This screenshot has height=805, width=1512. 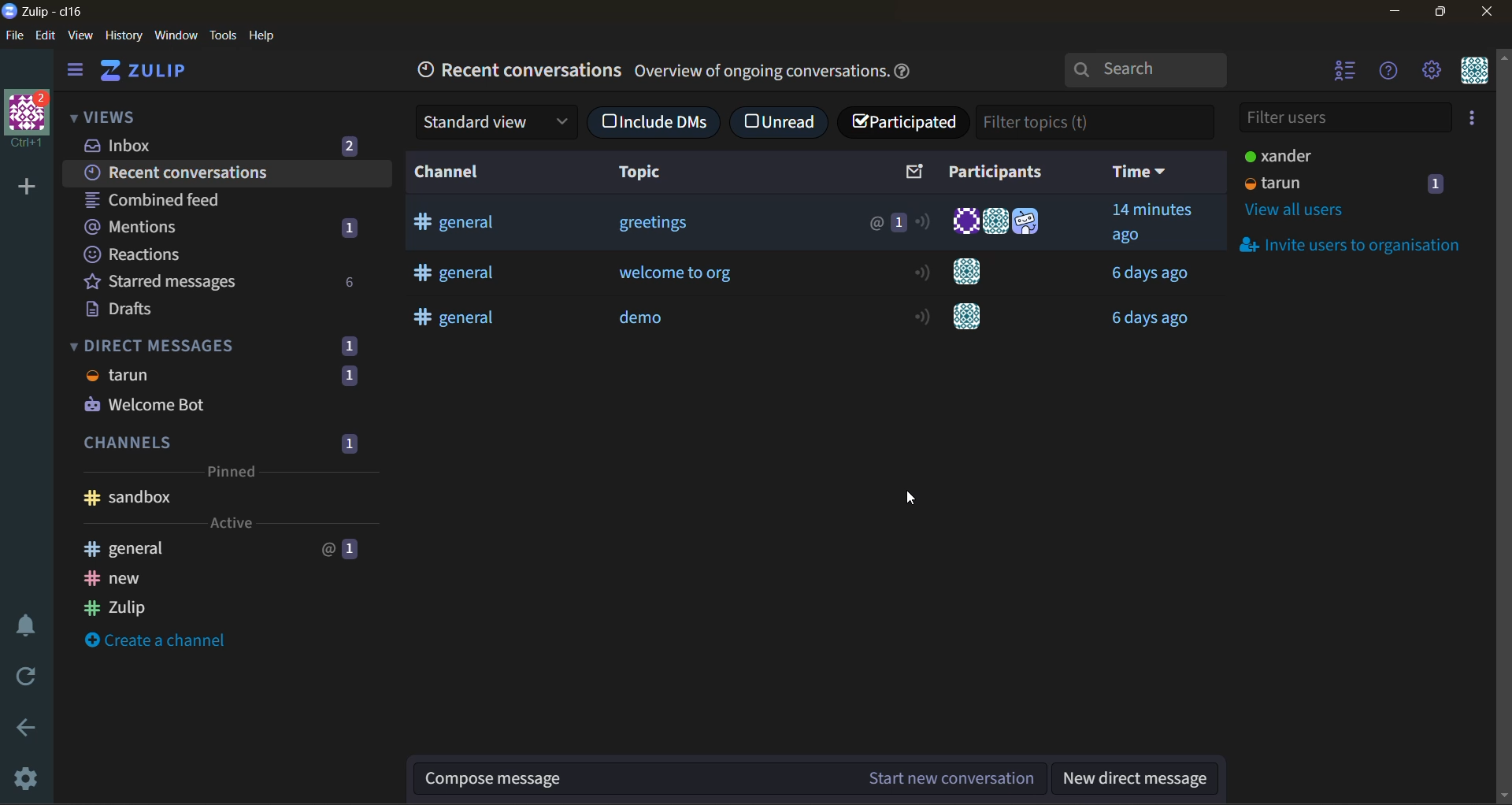 What do you see at coordinates (1073, 123) in the screenshot?
I see `filter topics` at bounding box center [1073, 123].